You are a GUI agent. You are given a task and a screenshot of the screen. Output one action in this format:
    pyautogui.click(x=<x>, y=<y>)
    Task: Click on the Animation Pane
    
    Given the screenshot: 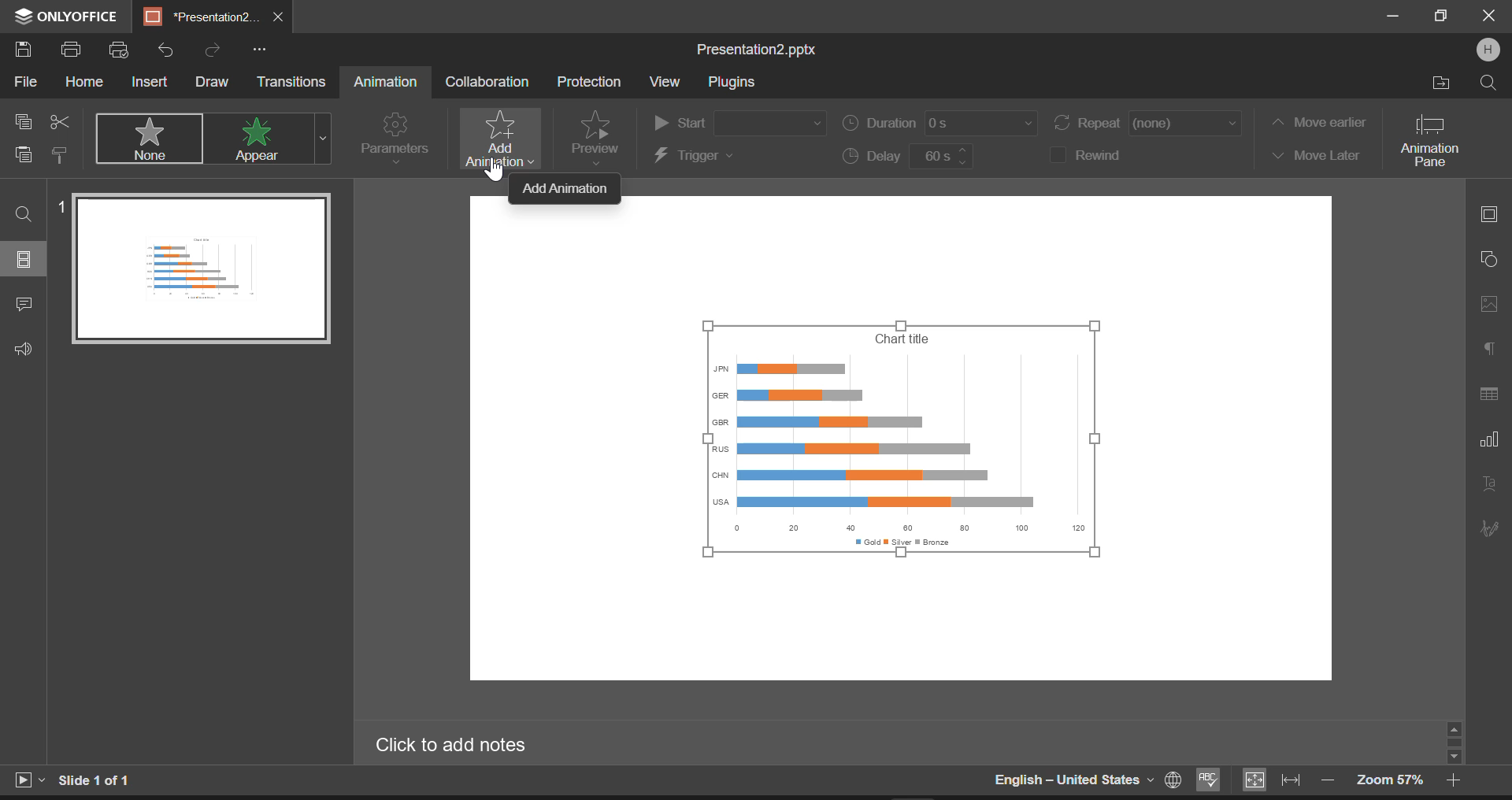 What is the action you would take?
    pyautogui.click(x=1436, y=139)
    